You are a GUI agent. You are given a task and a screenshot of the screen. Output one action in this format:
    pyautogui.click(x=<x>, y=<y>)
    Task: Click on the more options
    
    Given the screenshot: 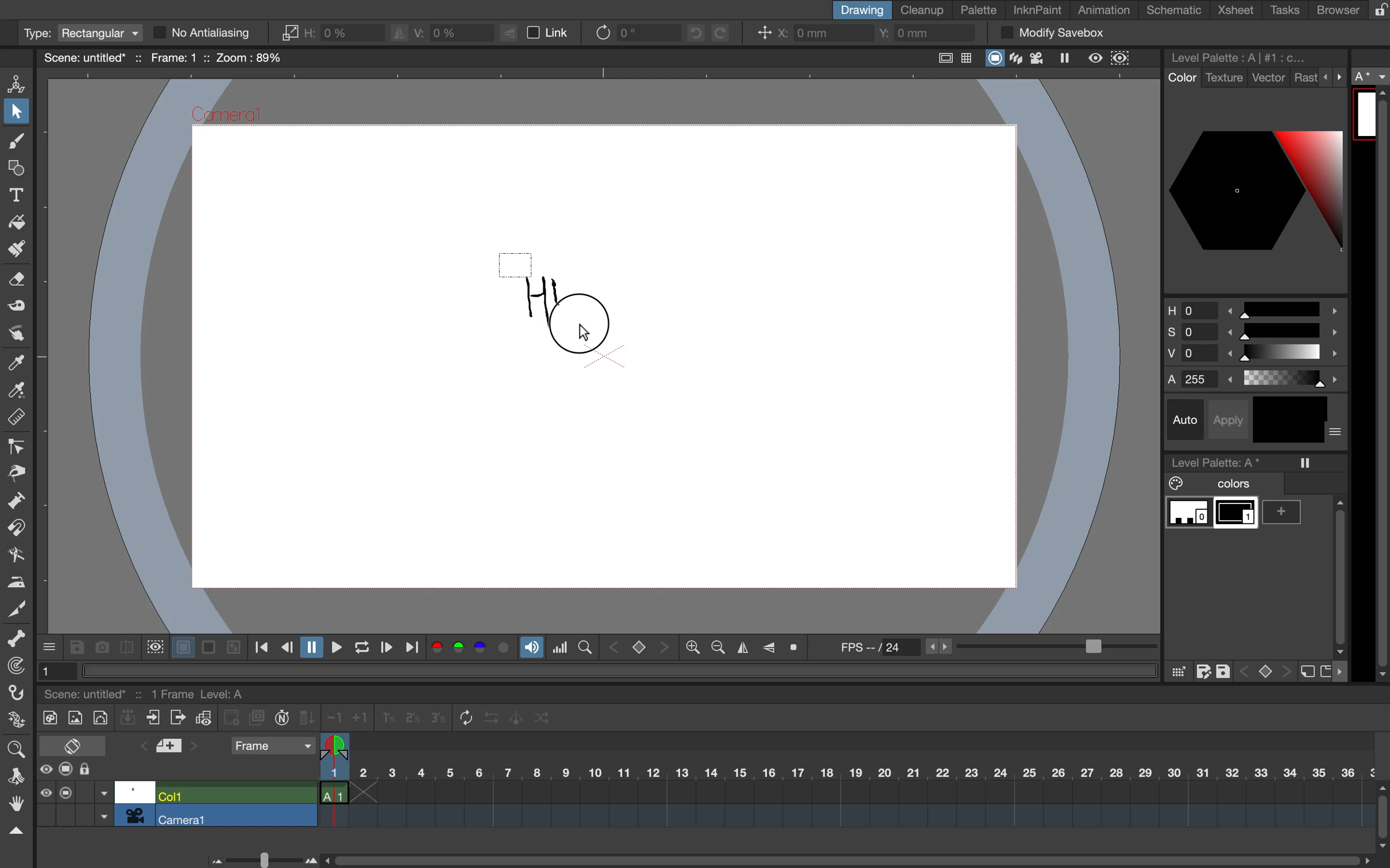 What is the action you would take?
    pyautogui.click(x=1344, y=672)
    